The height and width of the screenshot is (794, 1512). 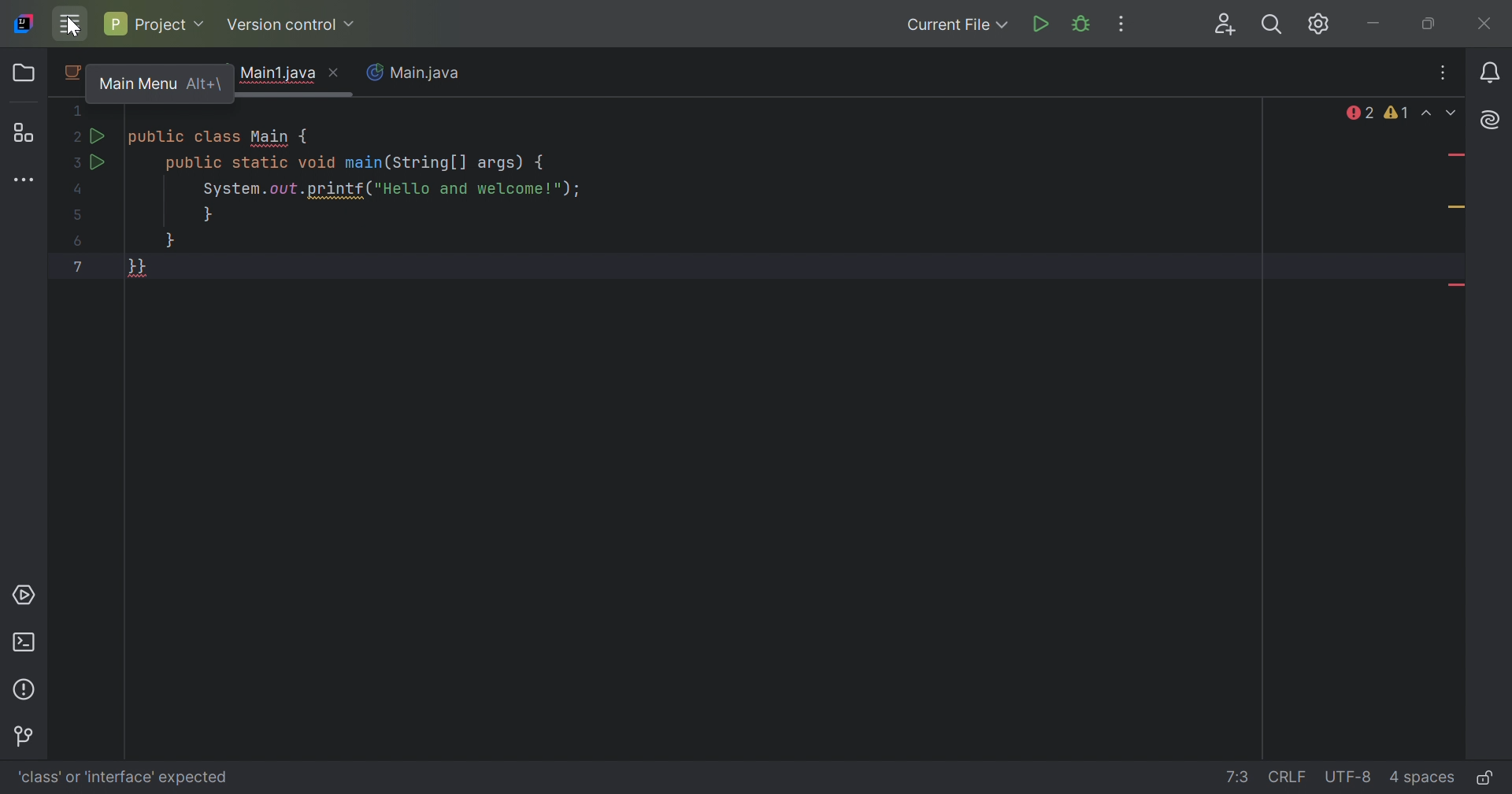 What do you see at coordinates (1488, 24) in the screenshot?
I see `Close` at bounding box center [1488, 24].